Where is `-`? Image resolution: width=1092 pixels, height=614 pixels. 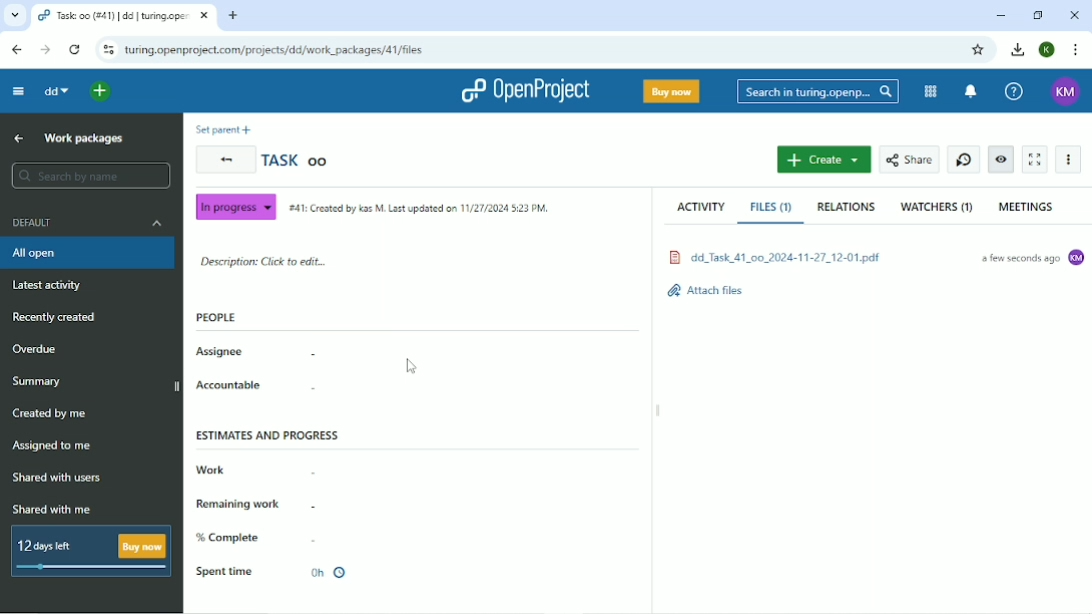
- is located at coordinates (324, 505).